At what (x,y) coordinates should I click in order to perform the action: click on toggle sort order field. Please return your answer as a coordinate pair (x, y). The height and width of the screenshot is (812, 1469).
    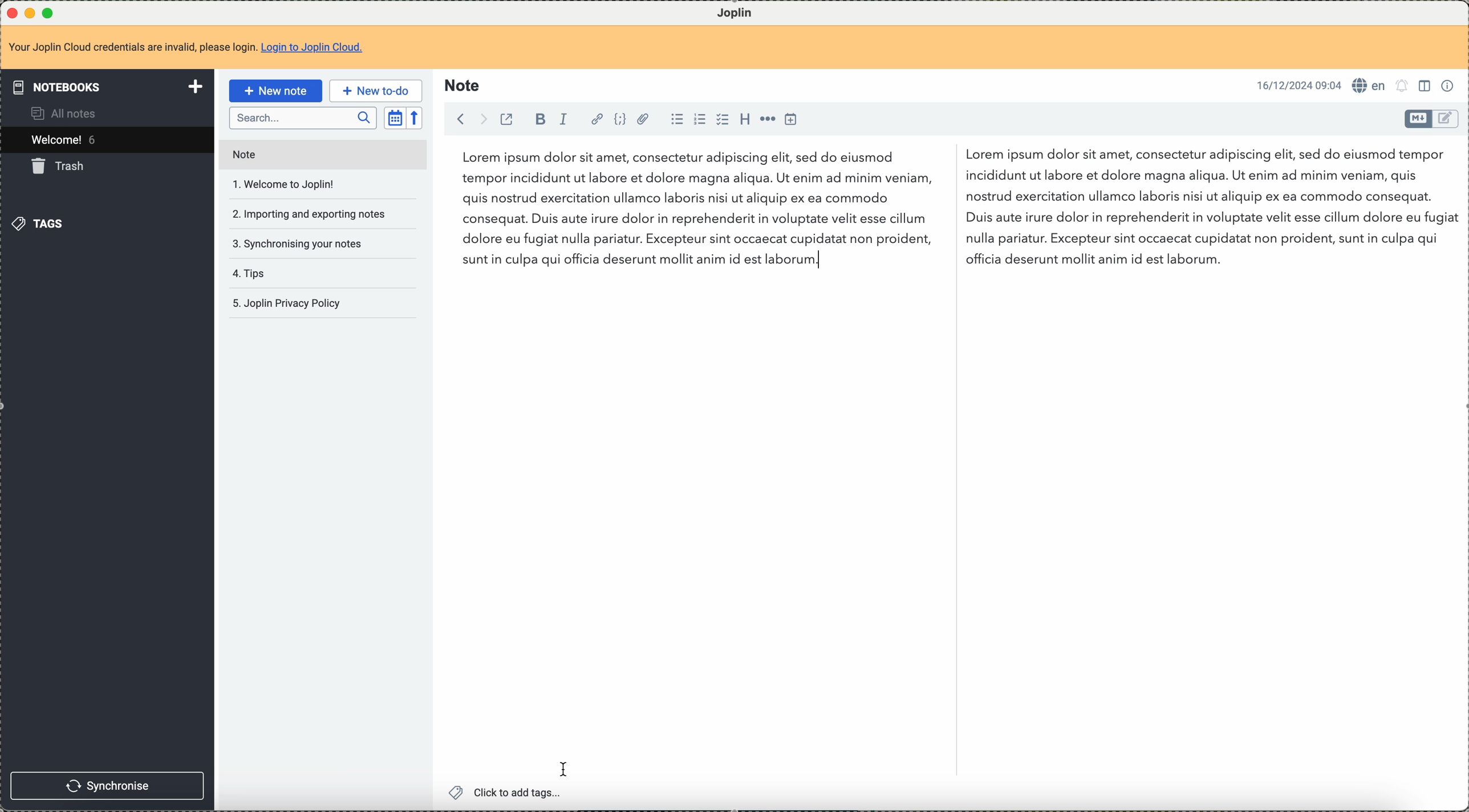
    Looking at the image, I should click on (393, 117).